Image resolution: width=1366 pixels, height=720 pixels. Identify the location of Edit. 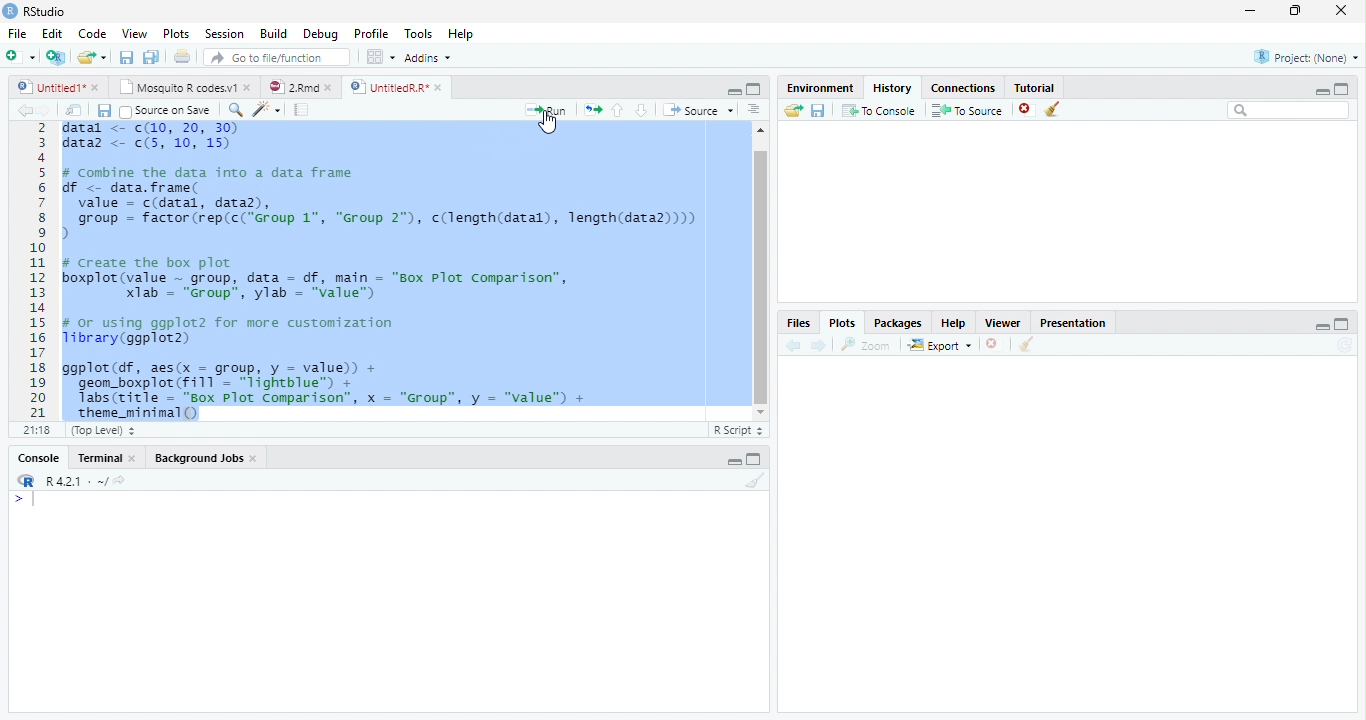
(50, 33).